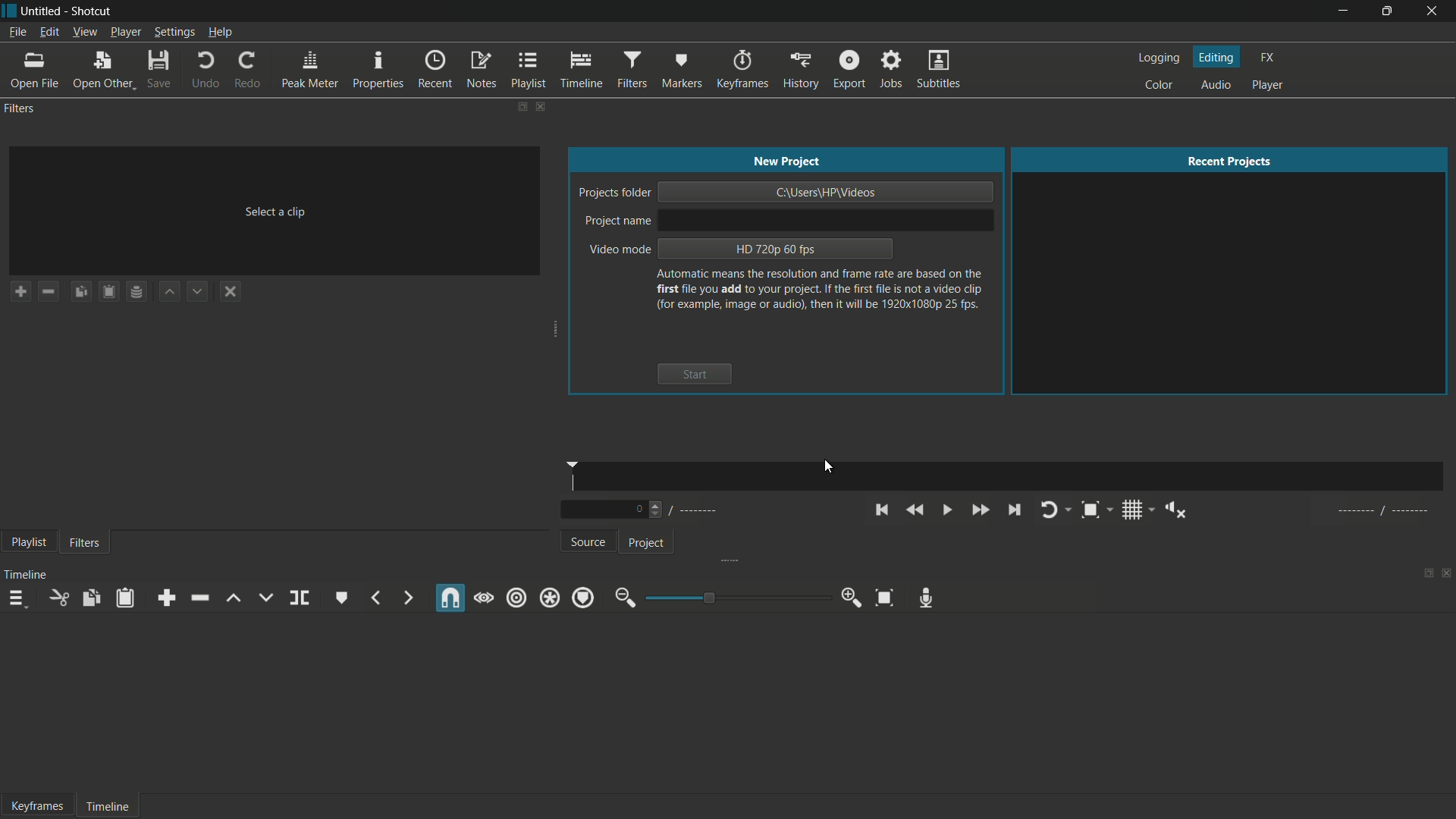 This screenshot has width=1456, height=819. What do you see at coordinates (221, 33) in the screenshot?
I see `help menu` at bounding box center [221, 33].